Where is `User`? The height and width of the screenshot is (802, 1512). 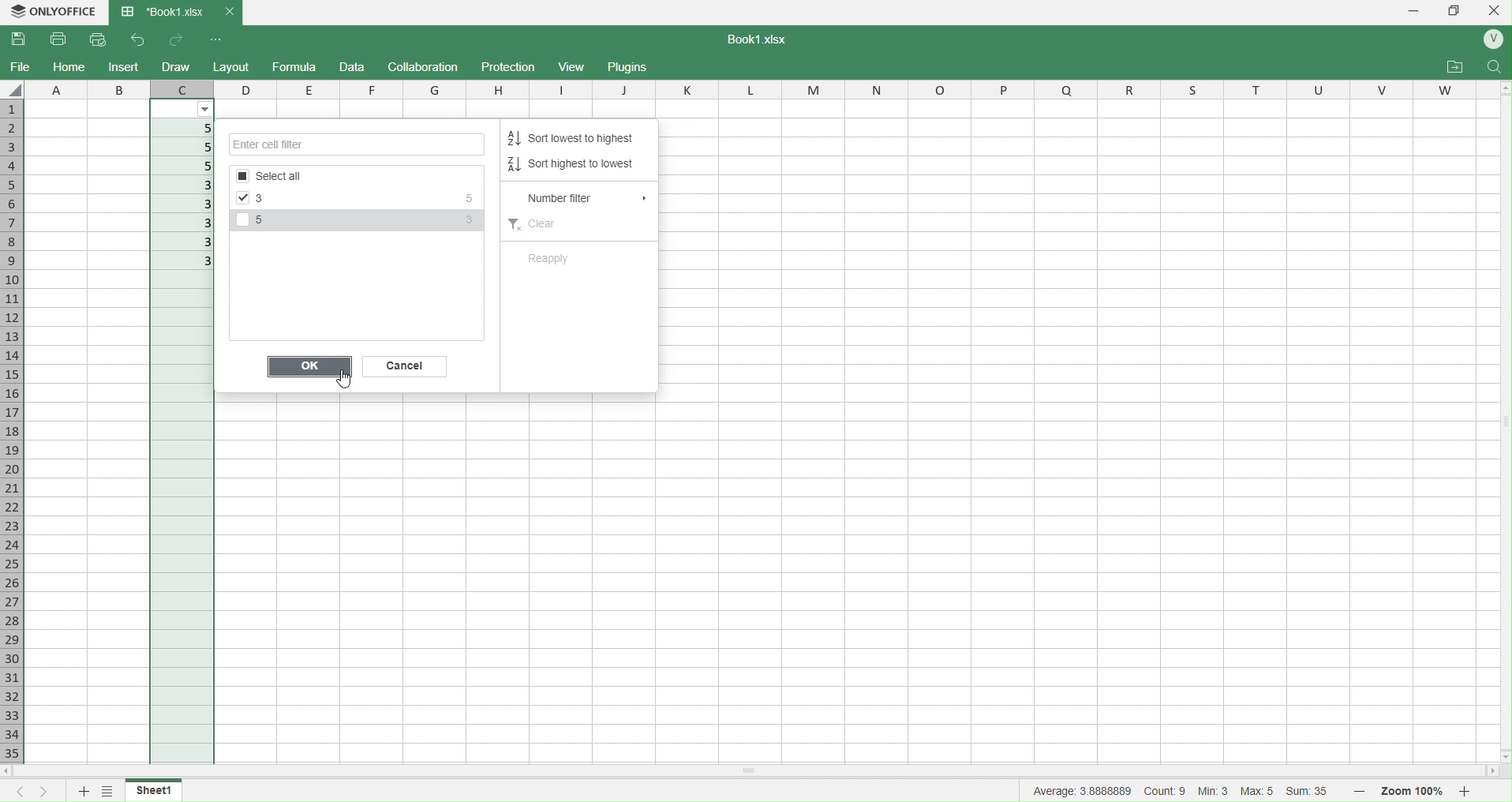 User is located at coordinates (1491, 40).